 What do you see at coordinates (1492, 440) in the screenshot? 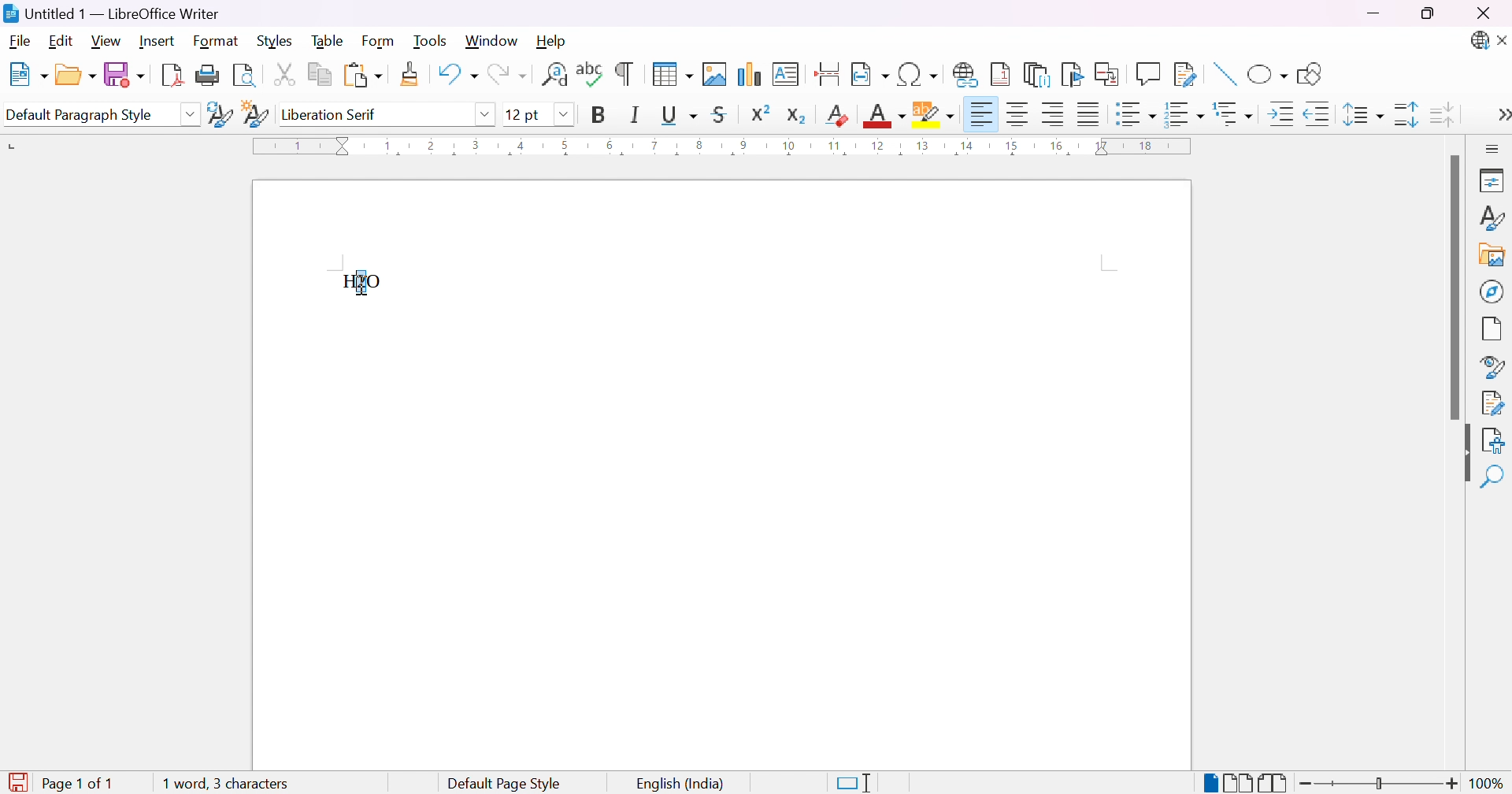
I see `Accessibility check` at bounding box center [1492, 440].